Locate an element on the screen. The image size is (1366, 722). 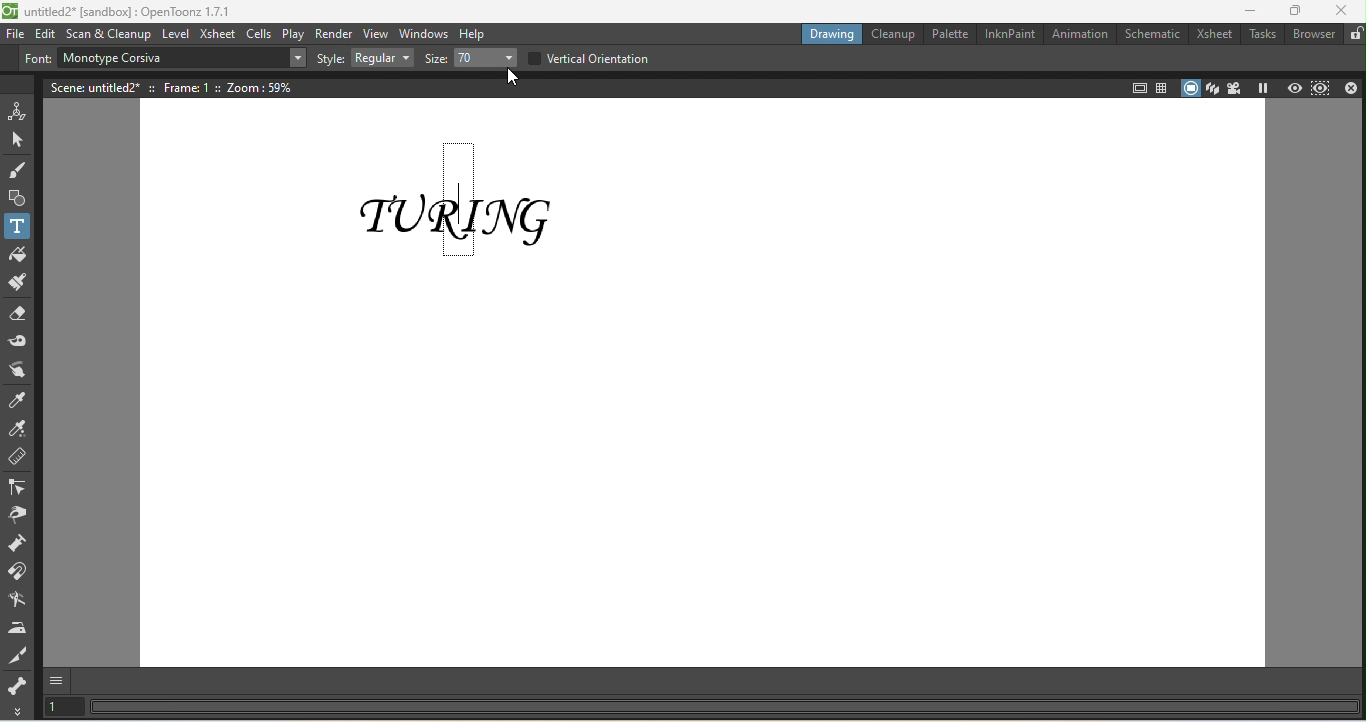
Preview is located at coordinates (1291, 87).